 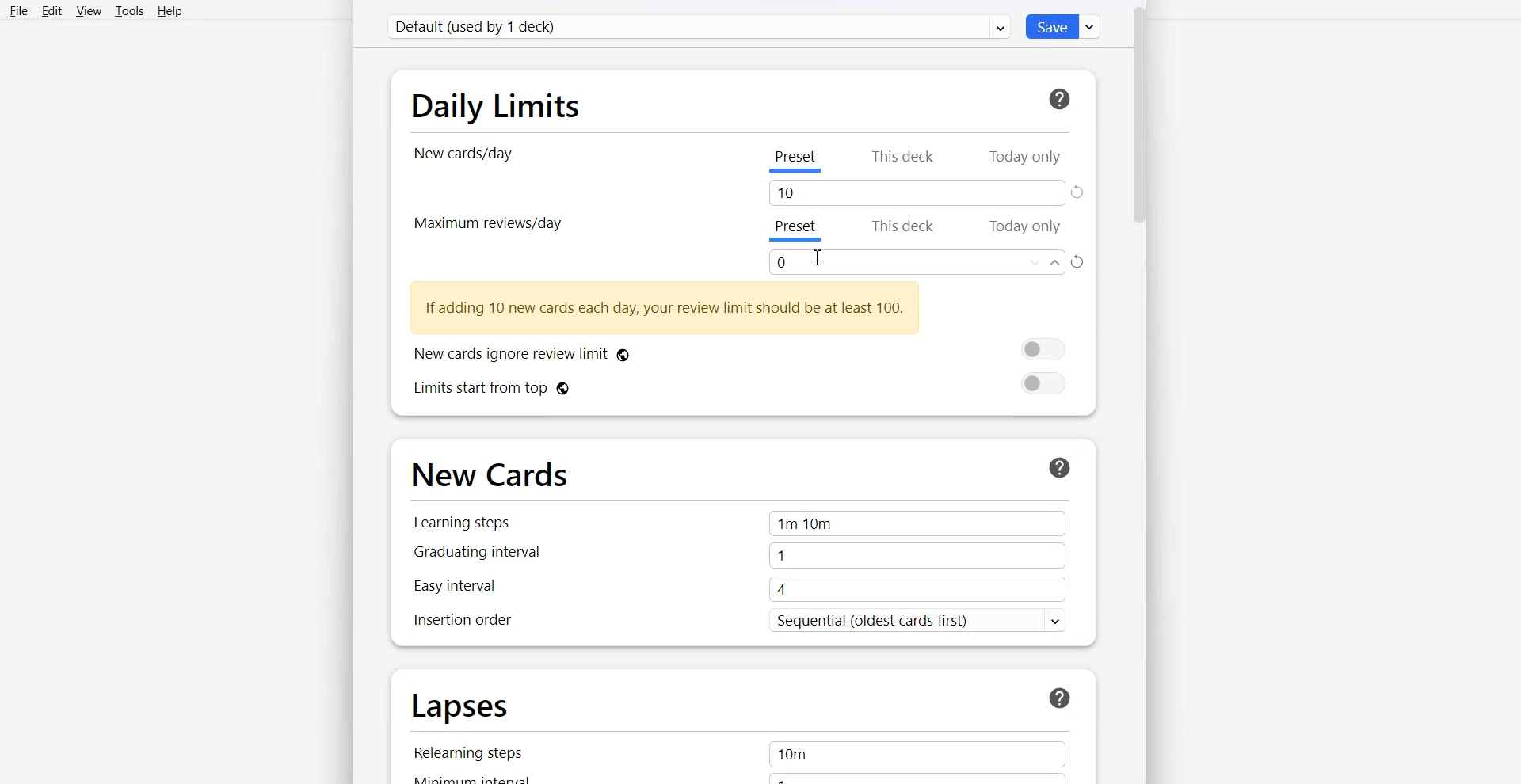 I want to click on Cursor, so click(x=821, y=260).